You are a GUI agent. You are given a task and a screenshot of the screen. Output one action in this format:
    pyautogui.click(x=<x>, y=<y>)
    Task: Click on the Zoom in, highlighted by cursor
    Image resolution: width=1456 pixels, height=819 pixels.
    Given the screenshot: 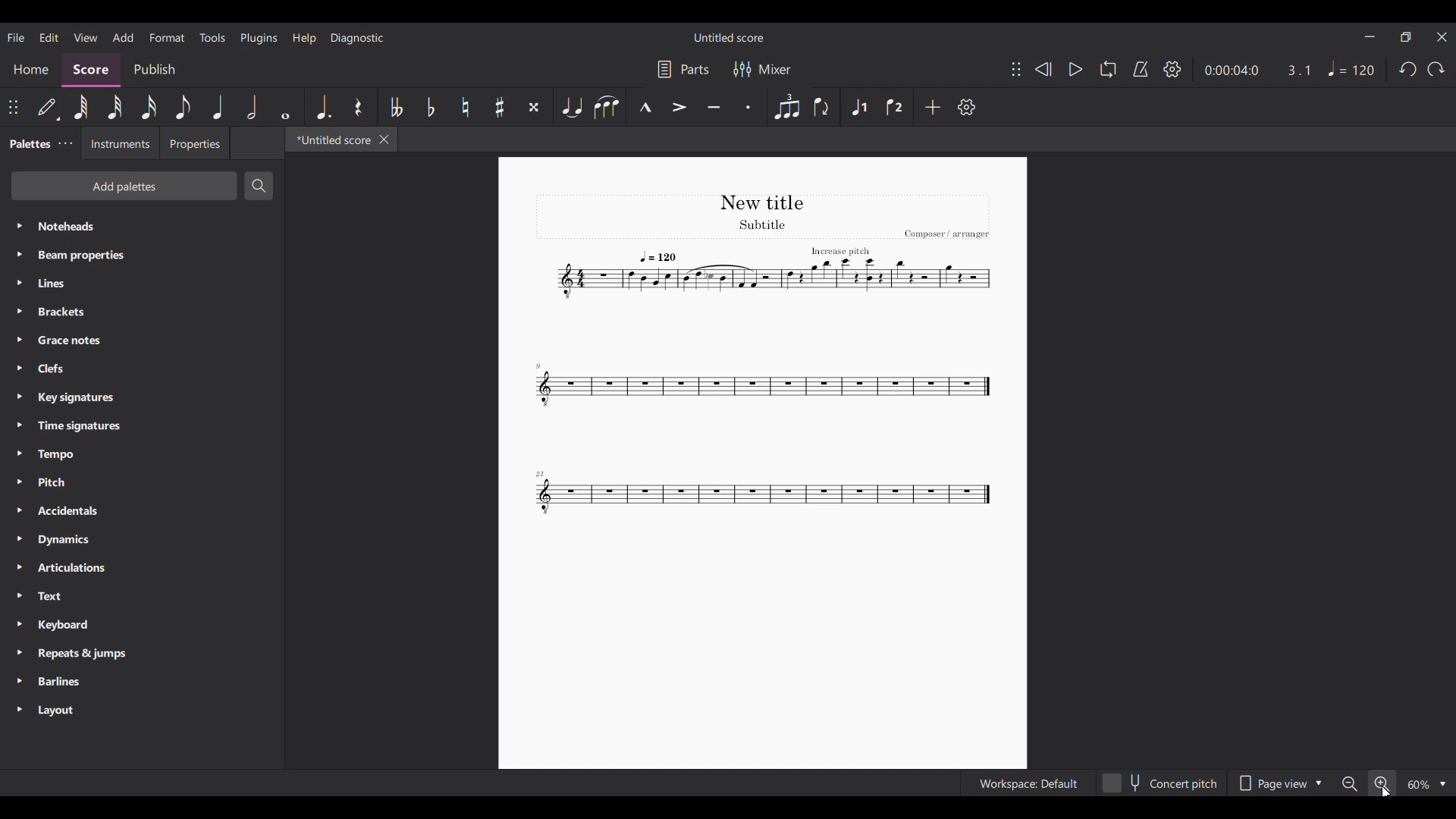 What is the action you would take?
    pyautogui.click(x=1381, y=783)
    